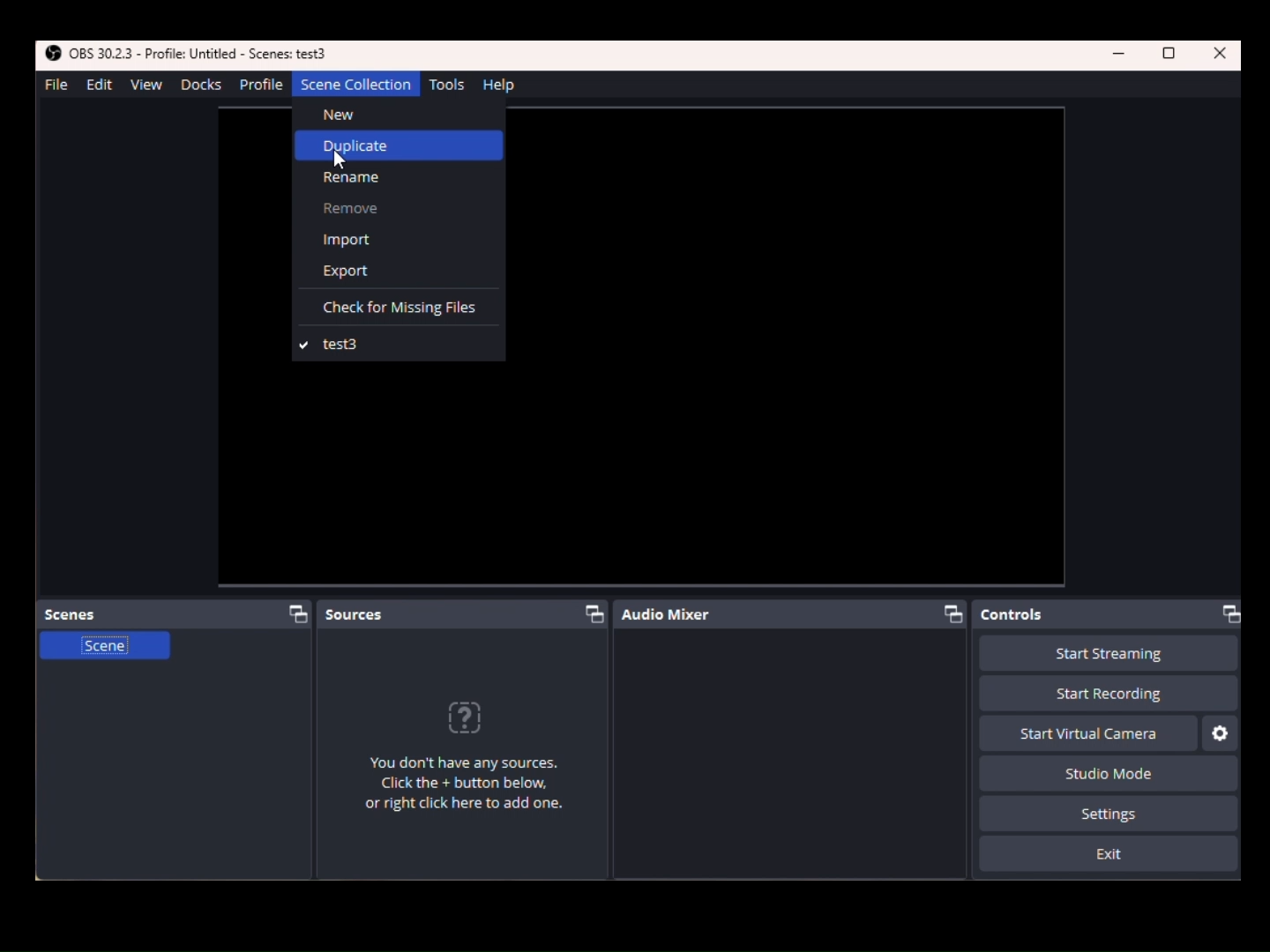  What do you see at coordinates (475, 762) in the screenshot?
I see `Any Sources` at bounding box center [475, 762].